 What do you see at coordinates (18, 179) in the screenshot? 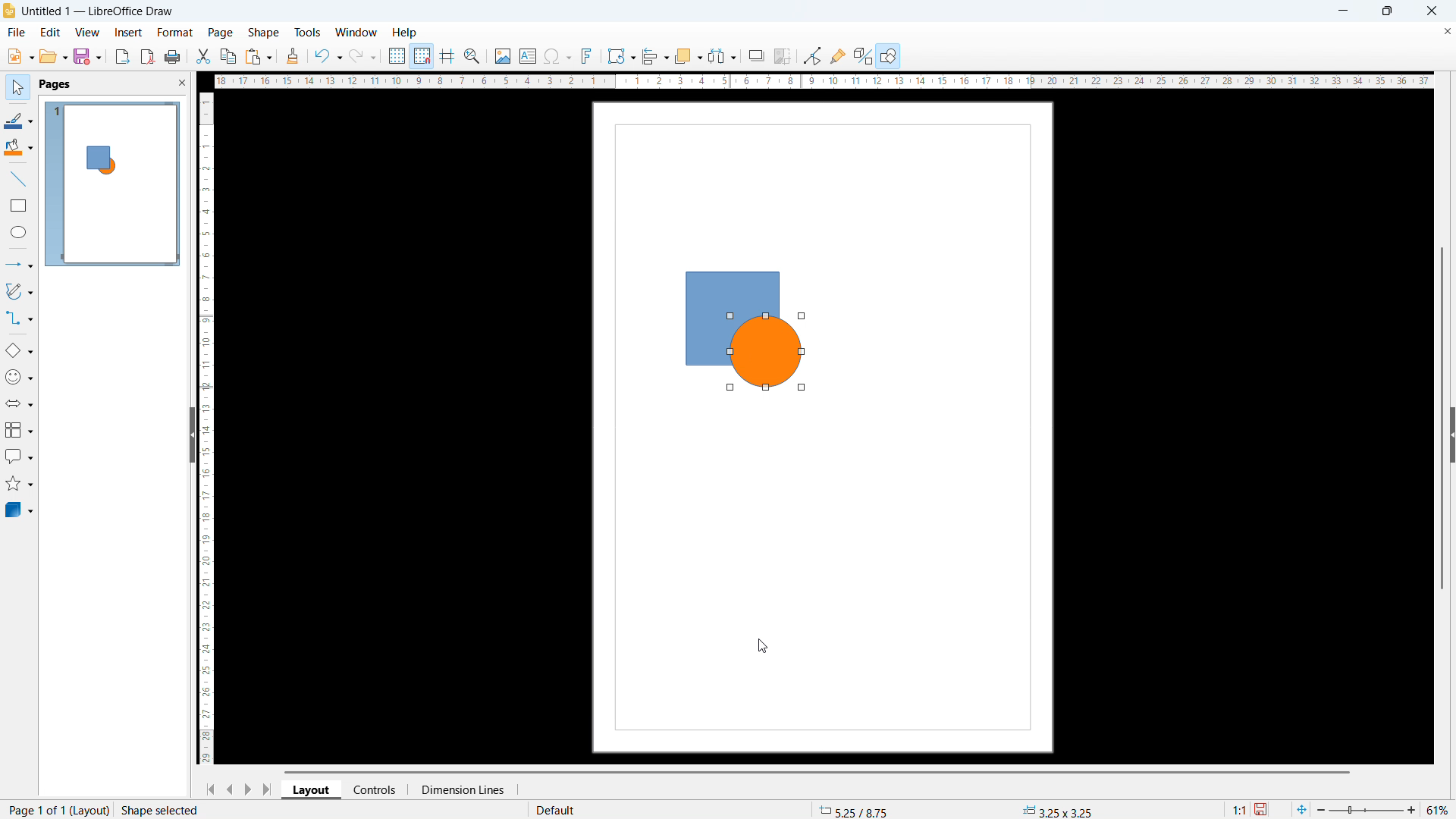
I see `Line tool ` at bounding box center [18, 179].